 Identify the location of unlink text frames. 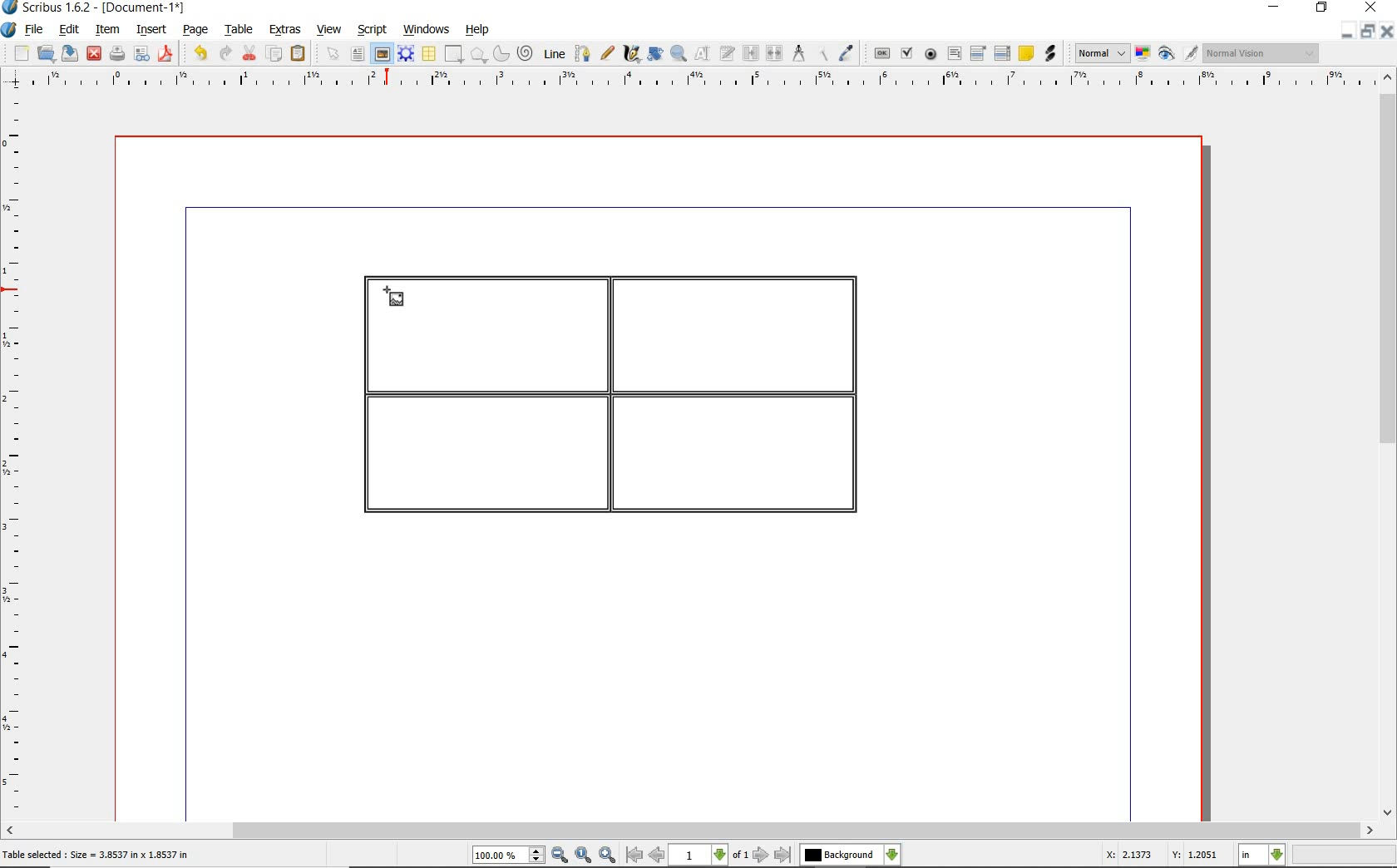
(776, 53).